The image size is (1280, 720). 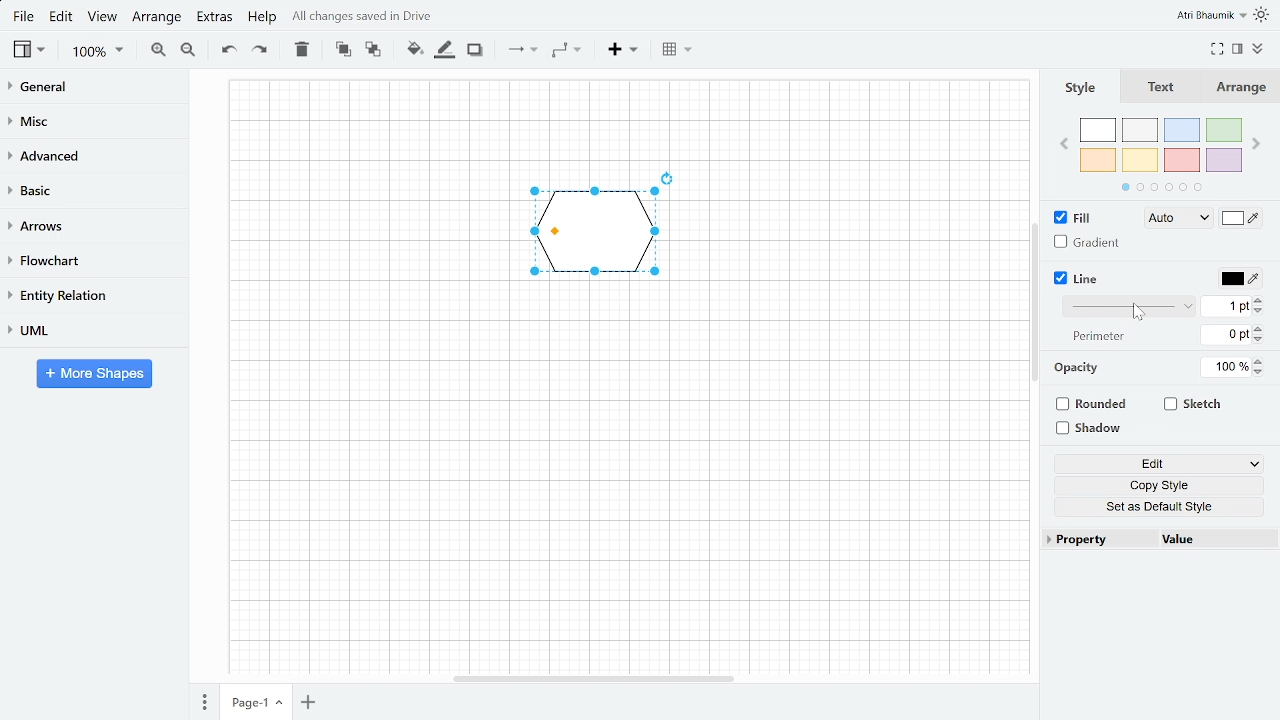 I want to click on Undo, so click(x=225, y=52).